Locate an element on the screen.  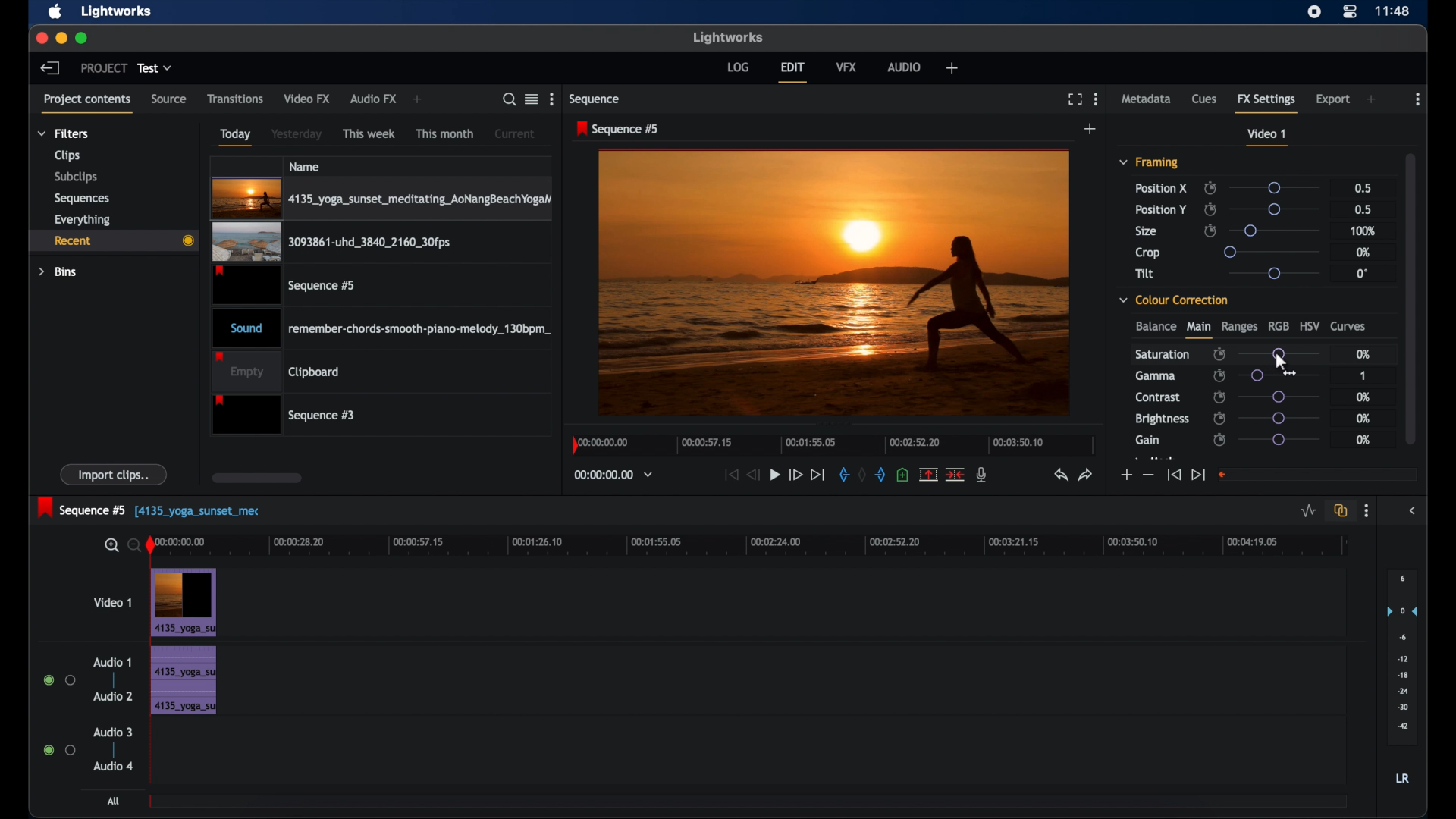
0% is located at coordinates (1363, 440).